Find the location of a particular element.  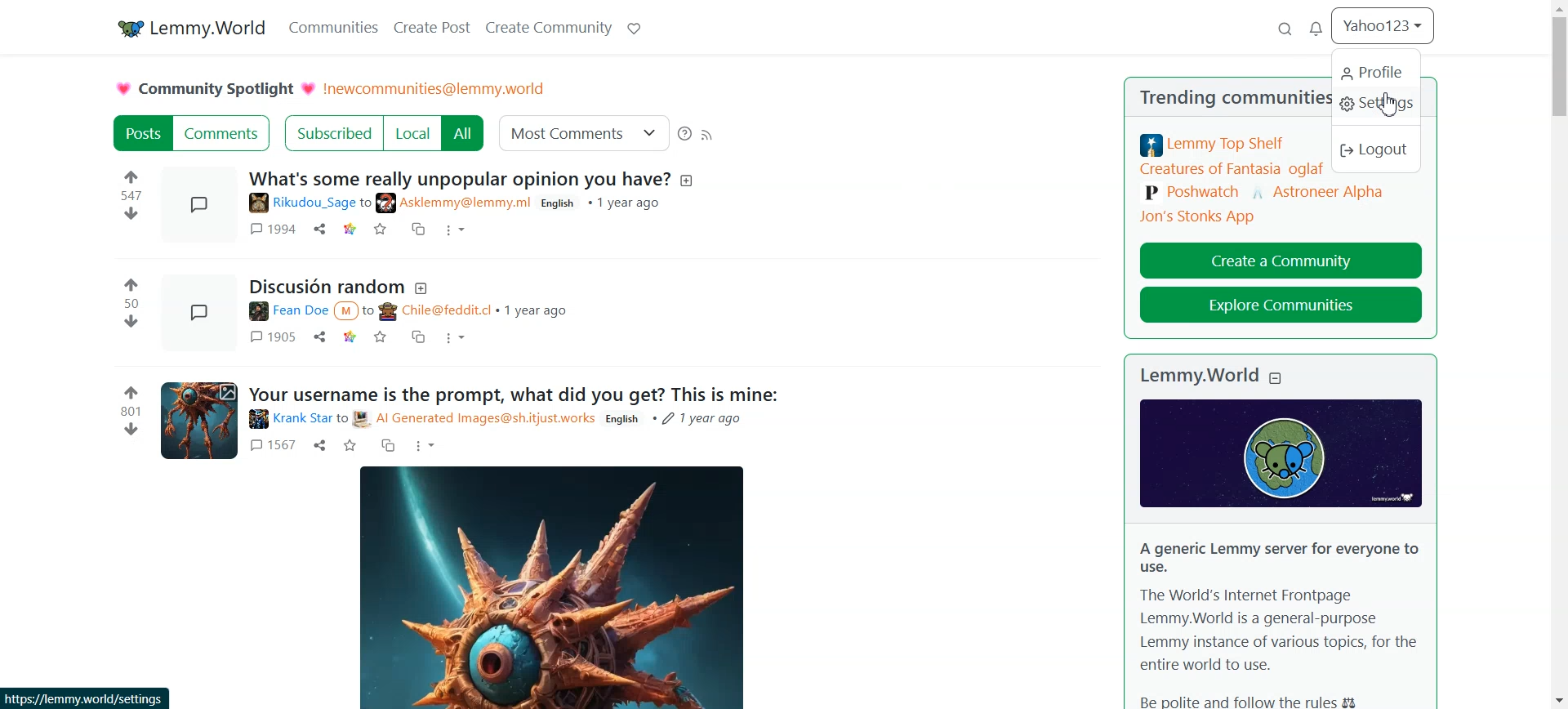

Support Limmy is located at coordinates (633, 27).